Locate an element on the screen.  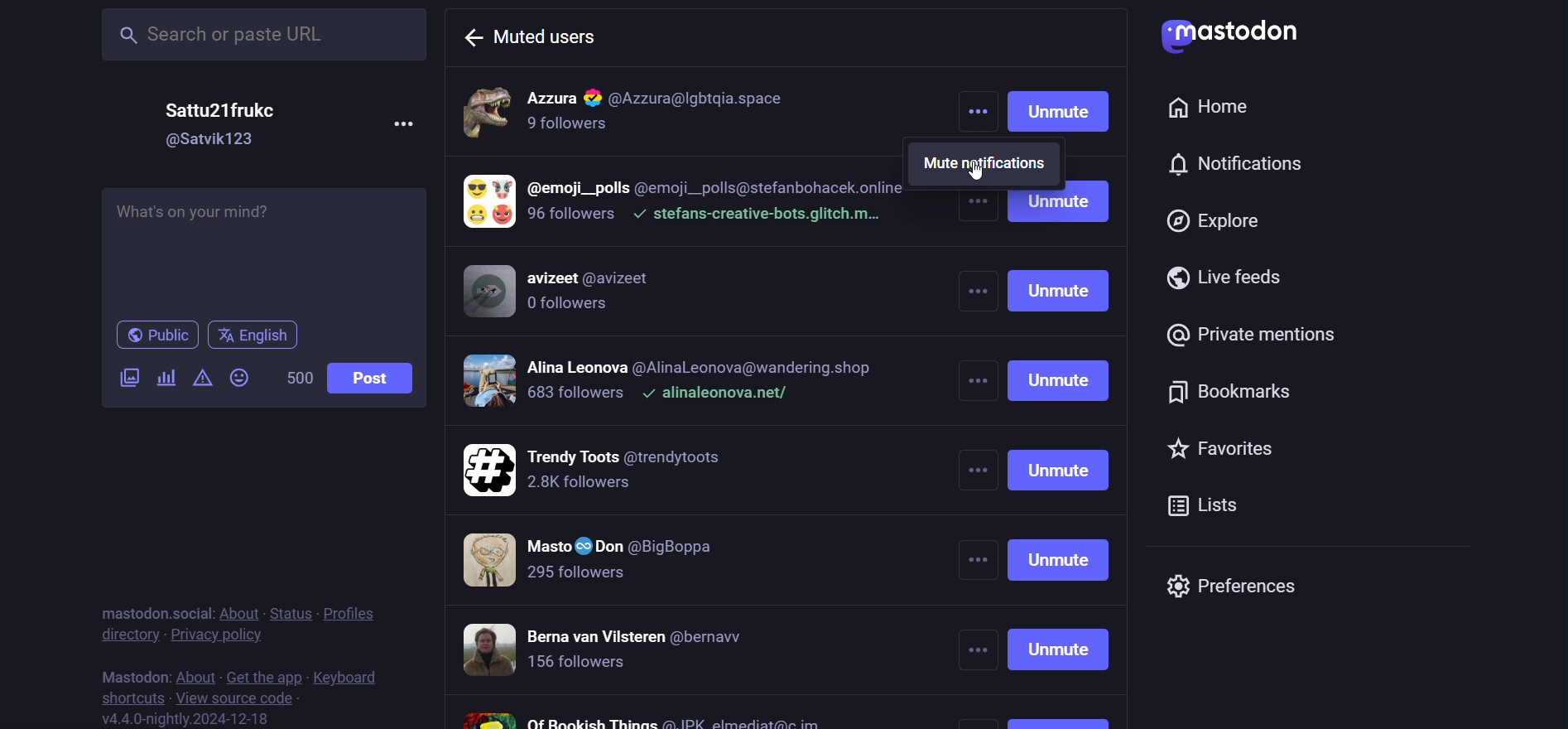
logo is located at coordinates (1229, 34).